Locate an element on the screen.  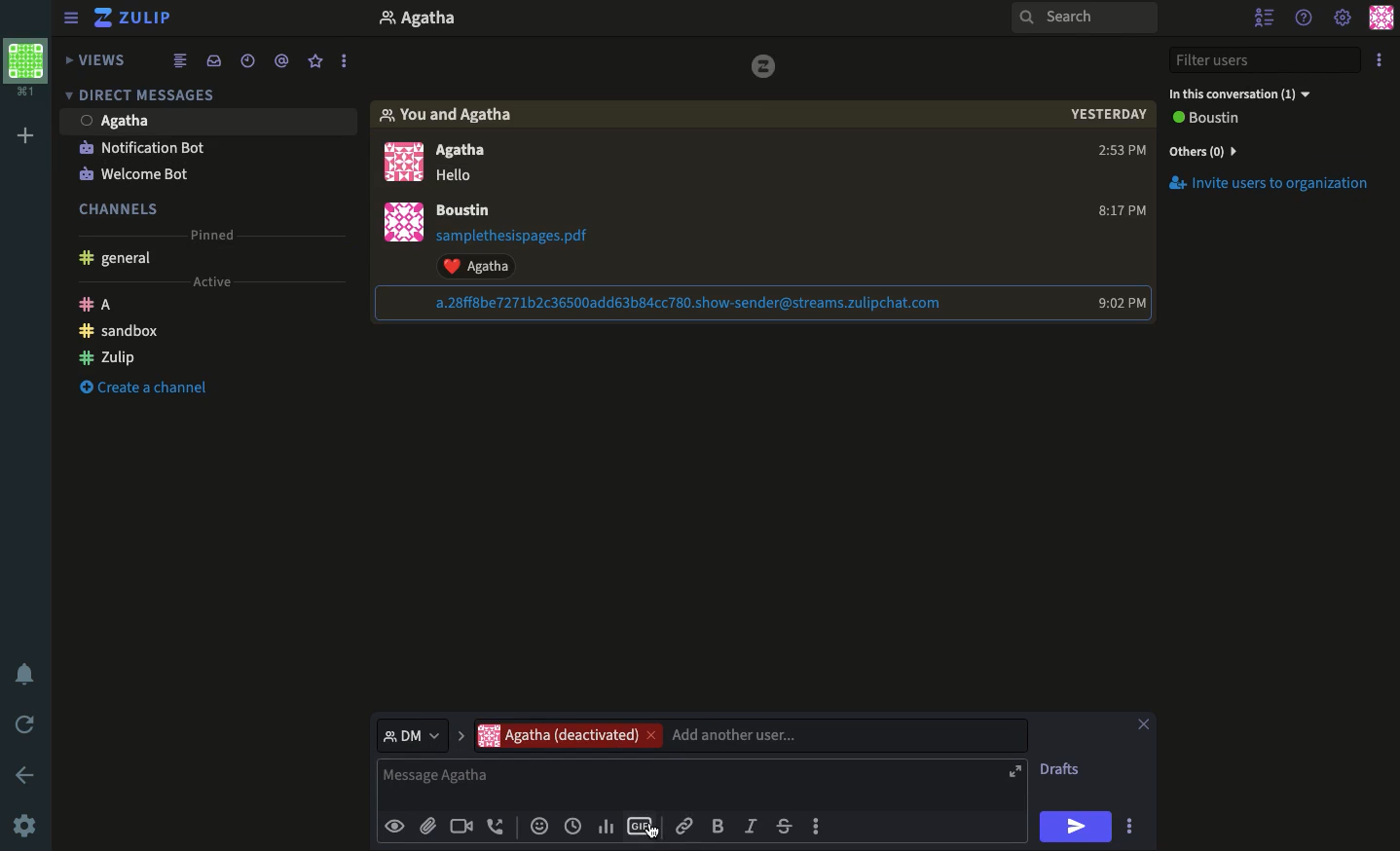
Filter users is located at coordinates (1266, 61).